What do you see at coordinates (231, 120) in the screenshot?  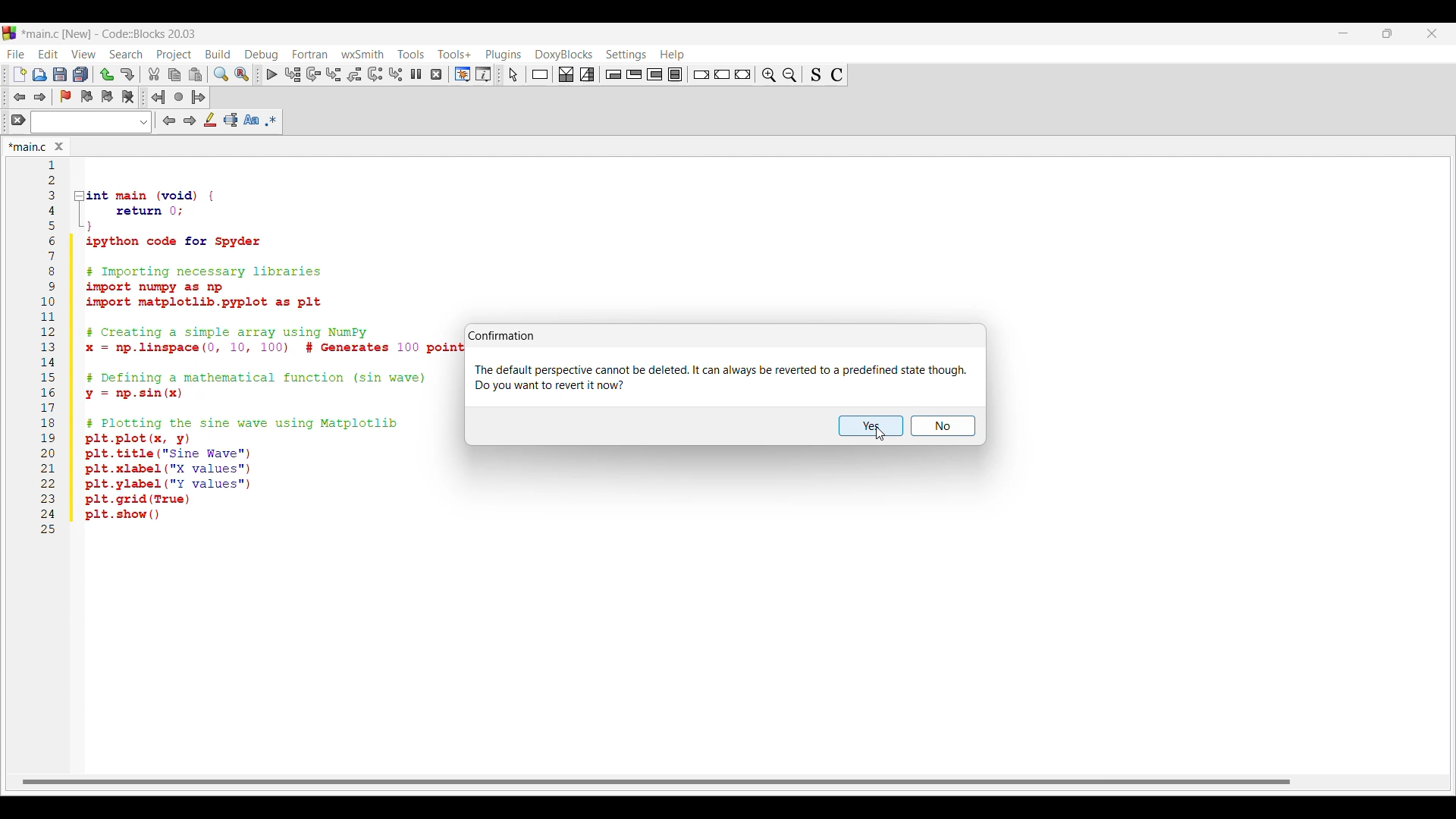 I see `Selected text` at bounding box center [231, 120].